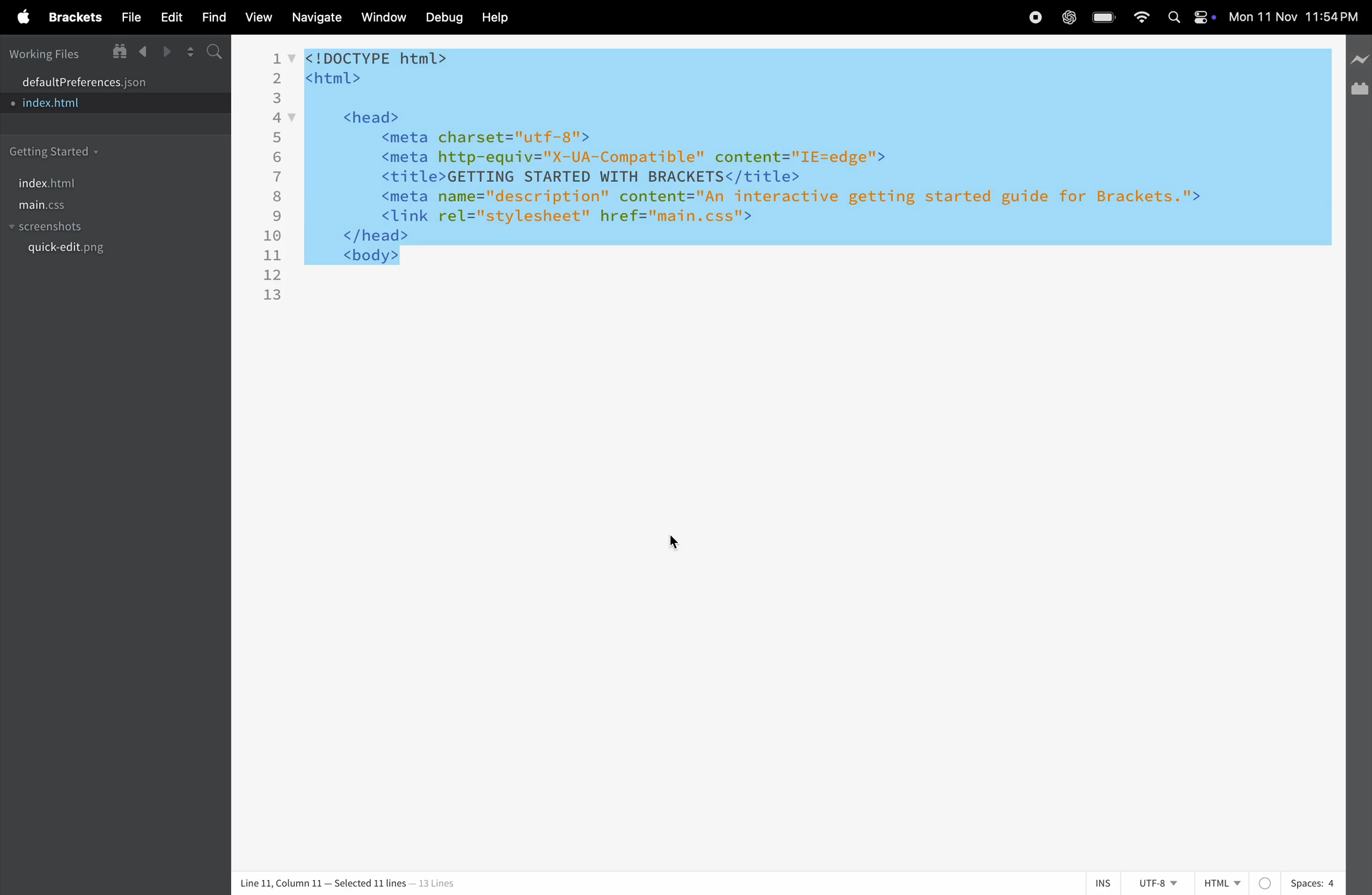  What do you see at coordinates (20, 17) in the screenshot?
I see `apple menu` at bounding box center [20, 17].